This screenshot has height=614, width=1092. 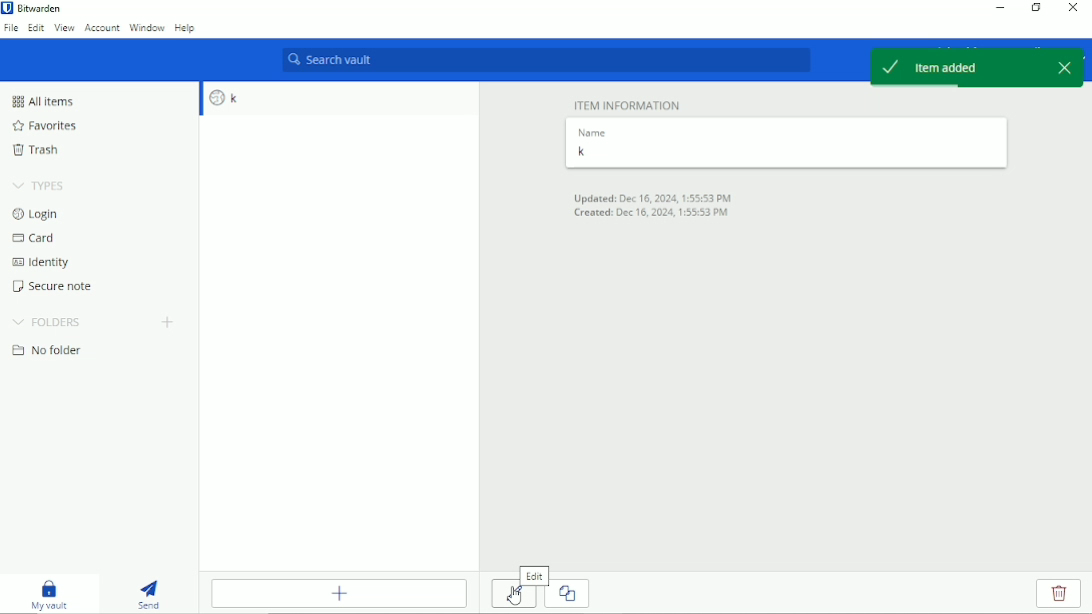 I want to click on Created: Dec 16, 2024, 1:55:53 PM, so click(x=652, y=215).